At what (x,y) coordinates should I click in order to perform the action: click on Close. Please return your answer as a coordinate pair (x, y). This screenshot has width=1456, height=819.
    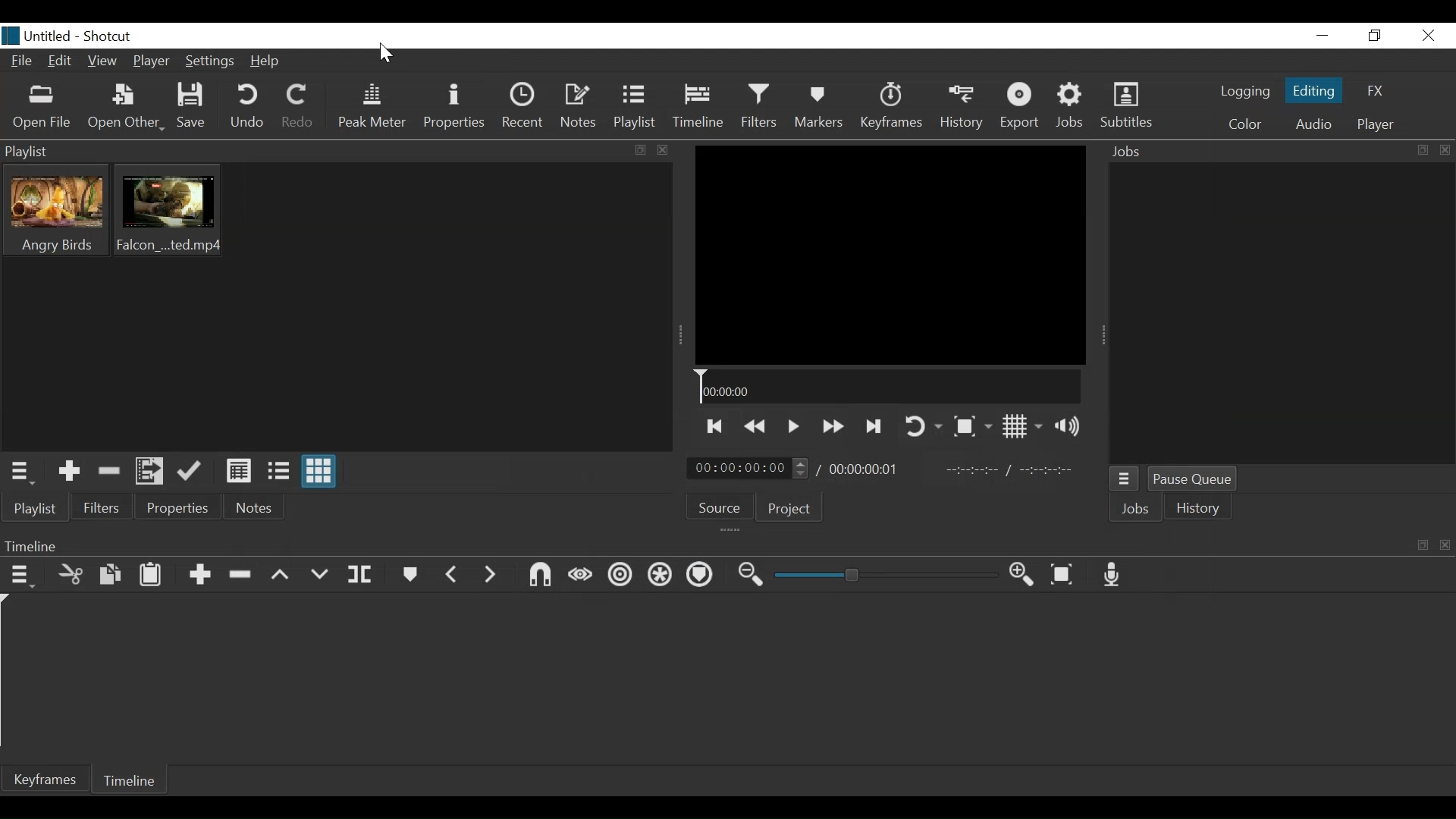
    Looking at the image, I should click on (1426, 35).